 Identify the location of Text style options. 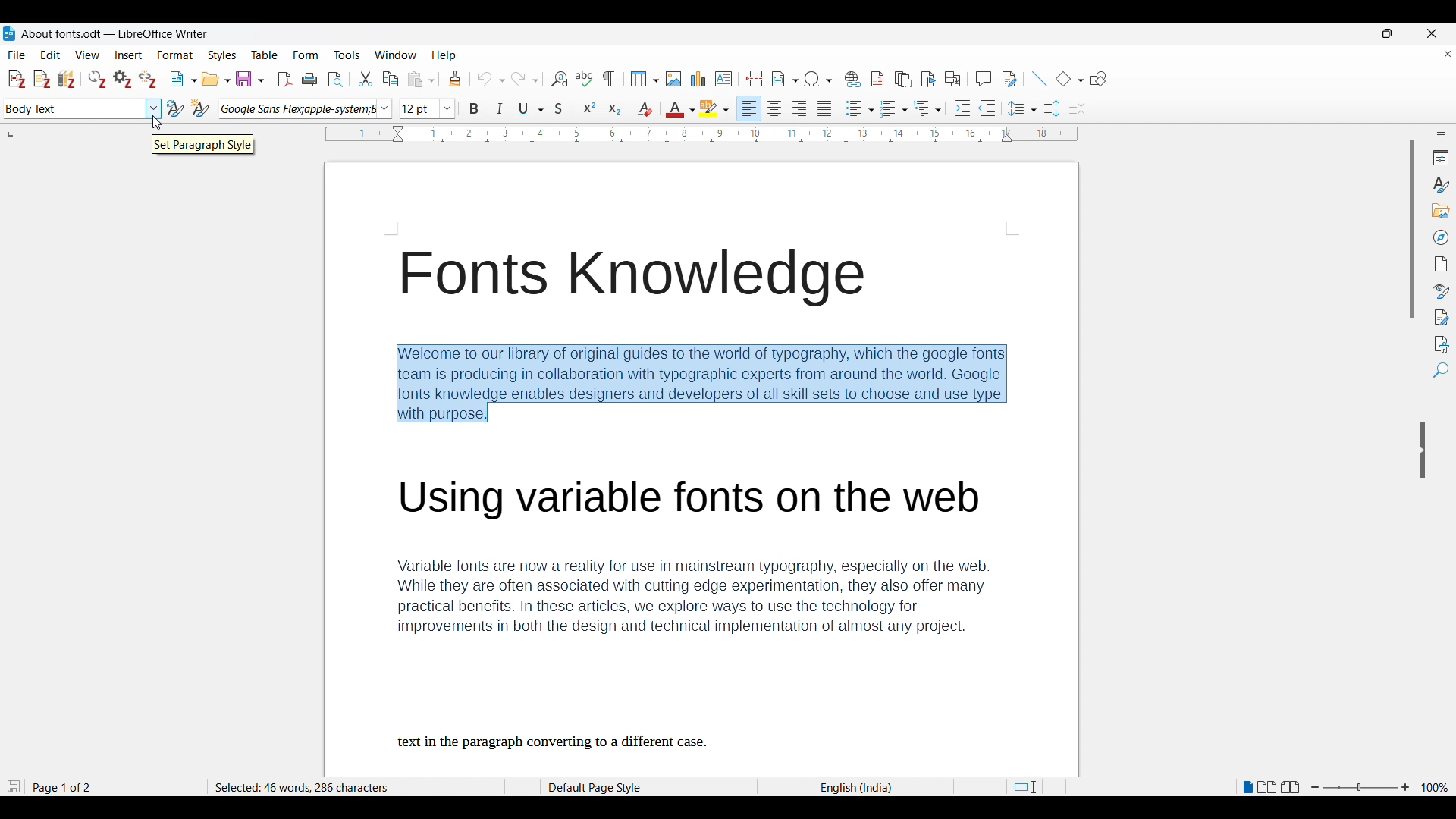
(74, 108).